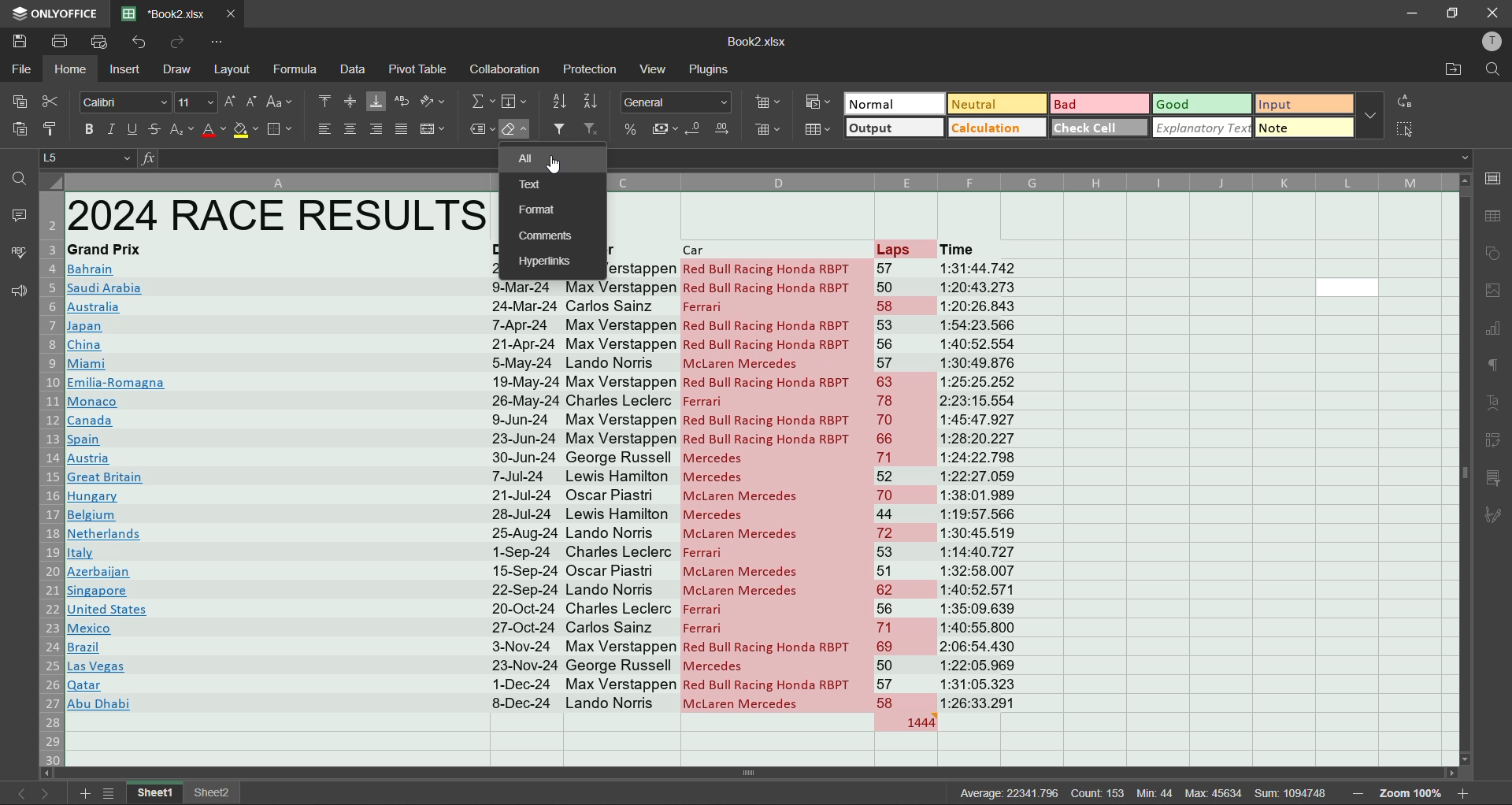 The height and width of the screenshot is (805, 1512). What do you see at coordinates (592, 130) in the screenshot?
I see `clear filter` at bounding box center [592, 130].